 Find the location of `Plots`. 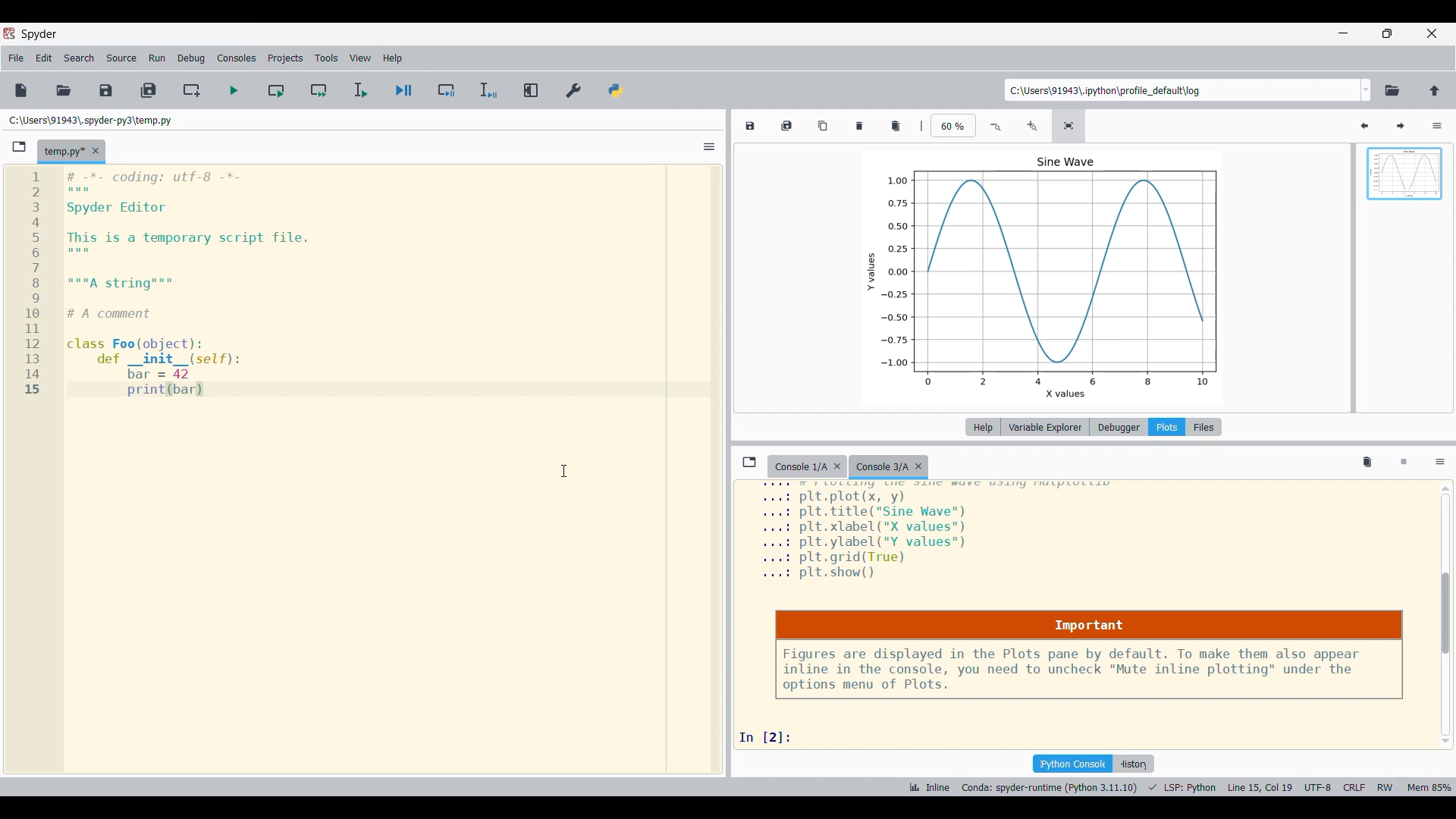

Plots is located at coordinates (1166, 427).